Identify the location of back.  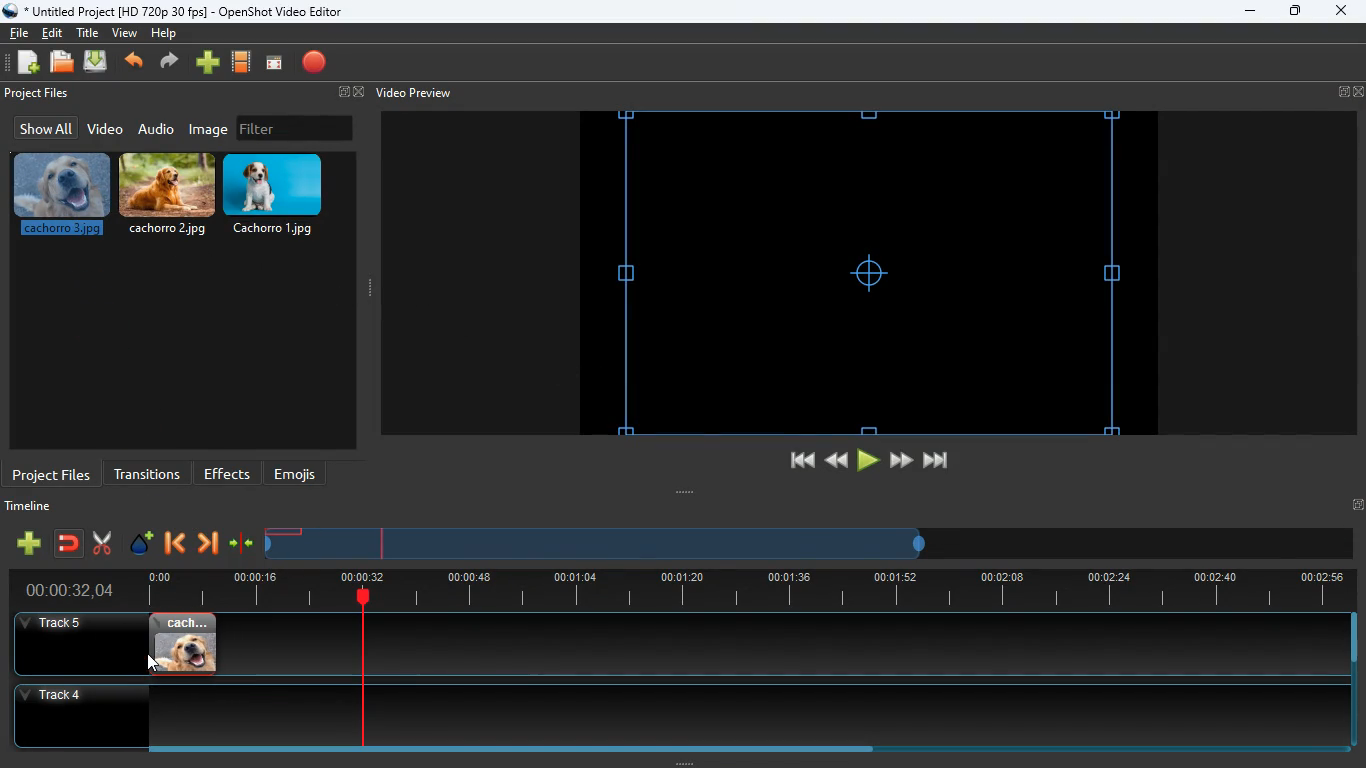
(136, 63).